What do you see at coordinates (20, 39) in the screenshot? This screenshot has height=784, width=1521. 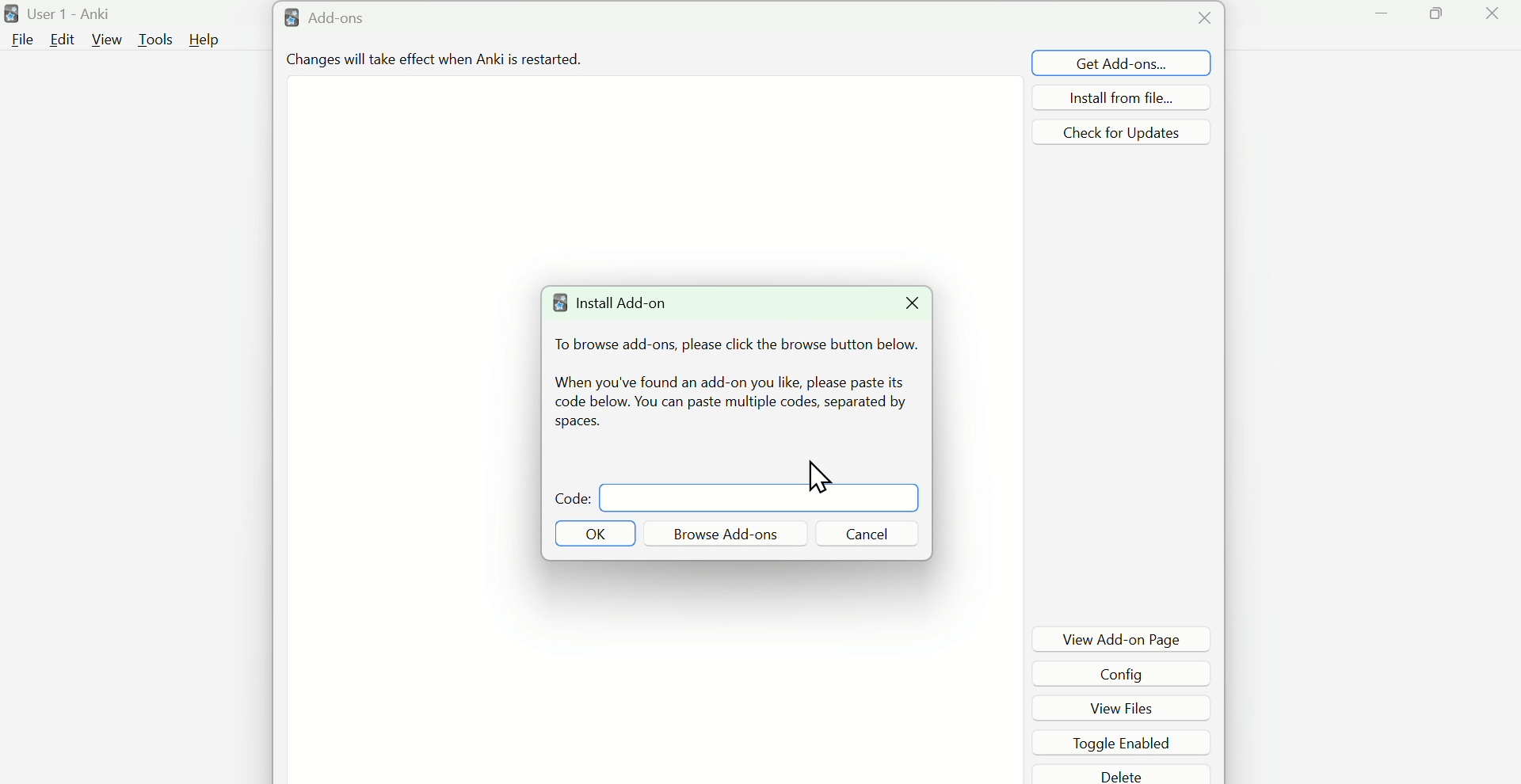 I see `File` at bounding box center [20, 39].